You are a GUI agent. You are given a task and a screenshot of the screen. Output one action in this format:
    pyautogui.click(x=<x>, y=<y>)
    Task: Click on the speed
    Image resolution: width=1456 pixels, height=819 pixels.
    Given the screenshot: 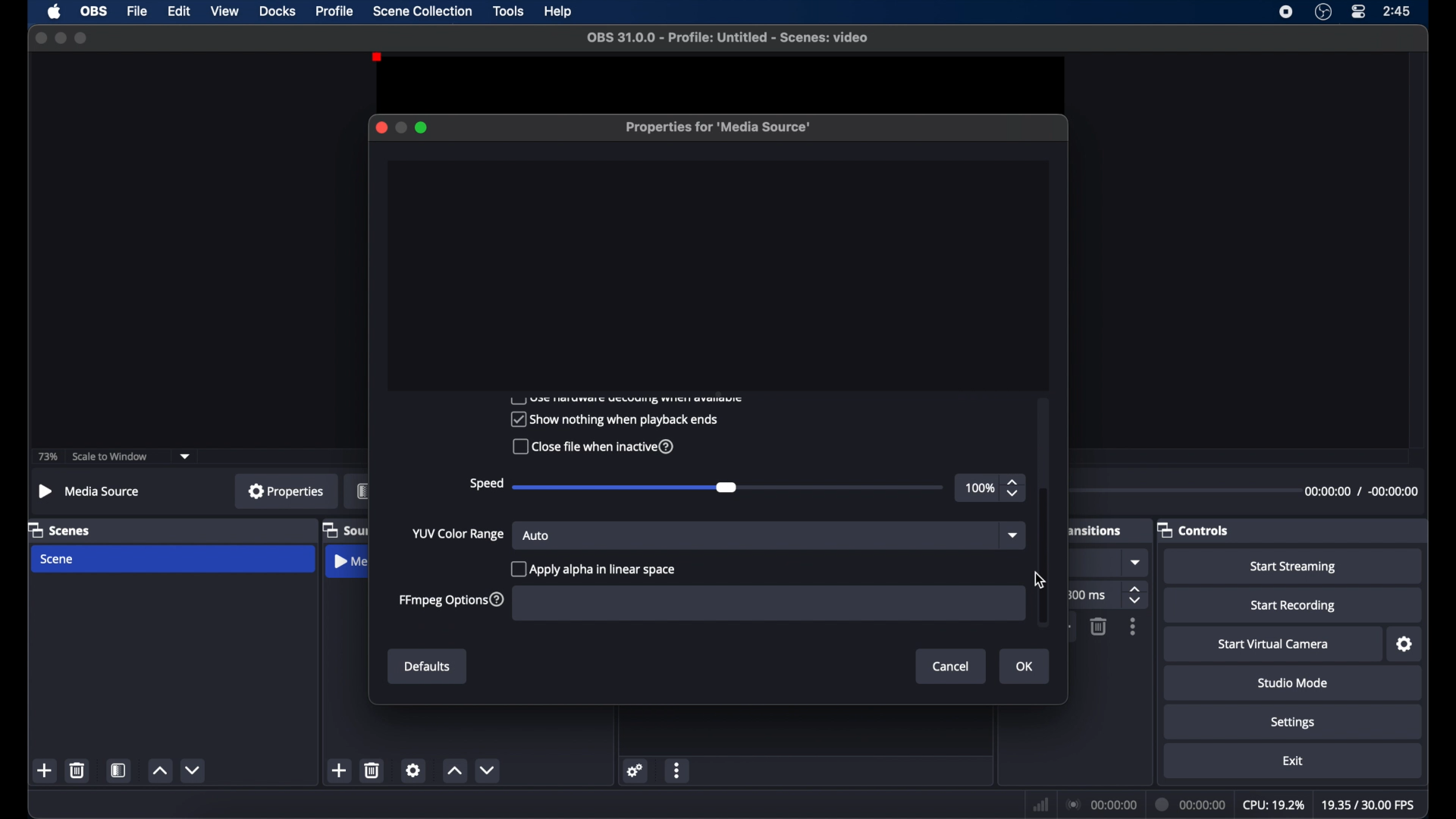 What is the action you would take?
    pyautogui.click(x=485, y=484)
    